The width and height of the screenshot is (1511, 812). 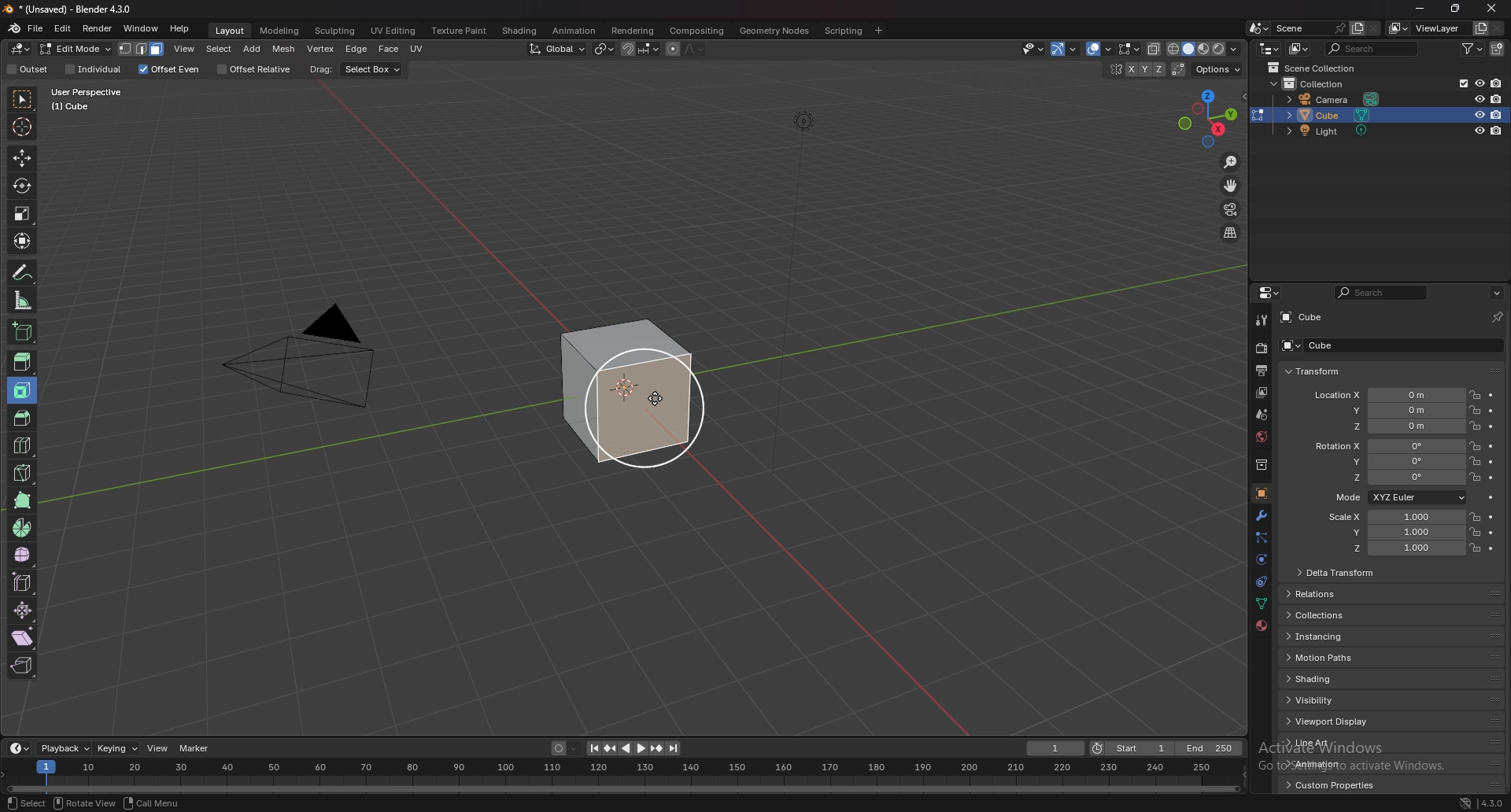 I want to click on location x, so click(x=1388, y=396).